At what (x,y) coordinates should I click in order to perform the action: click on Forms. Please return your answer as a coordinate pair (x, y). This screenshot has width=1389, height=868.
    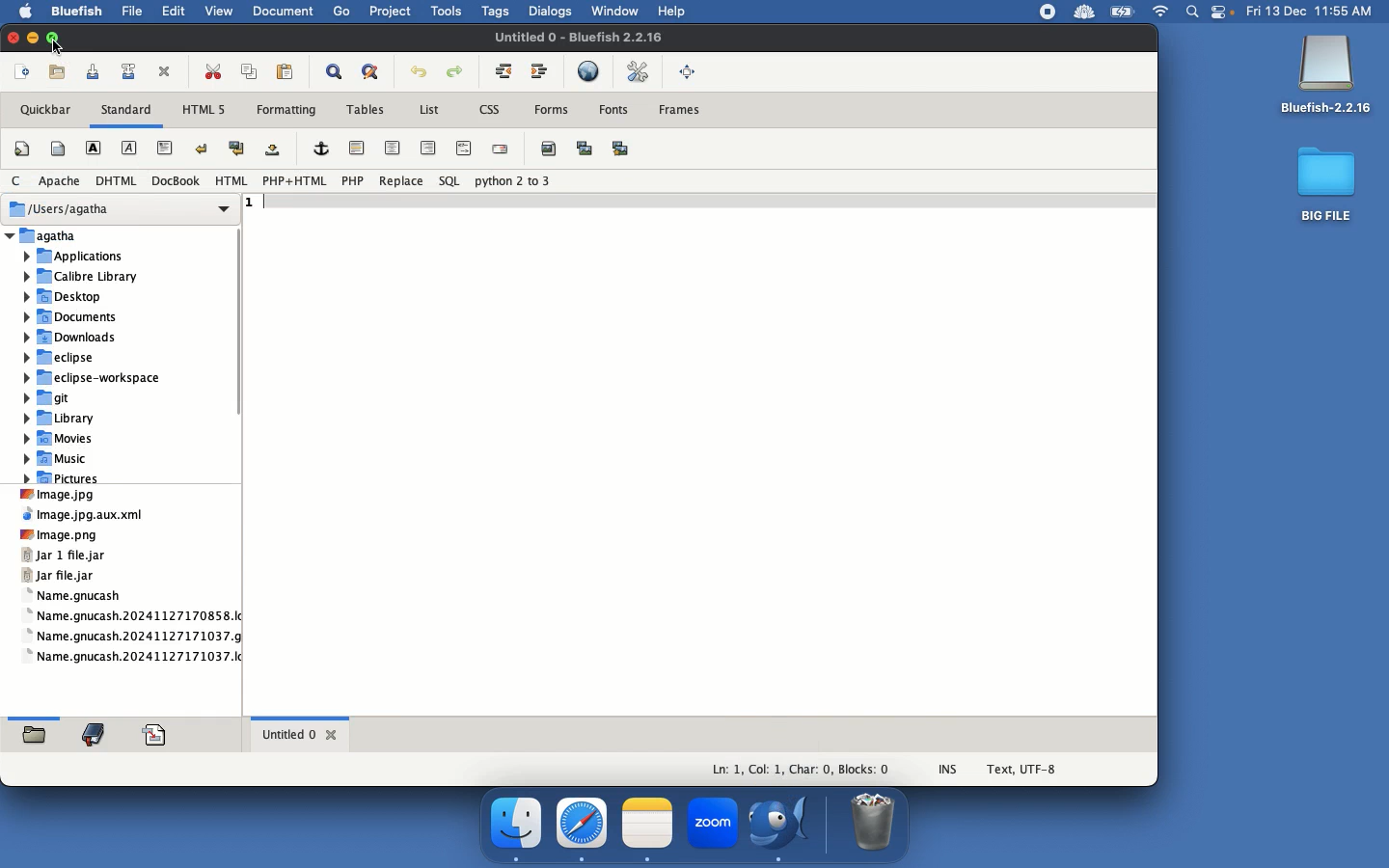
    Looking at the image, I should click on (552, 108).